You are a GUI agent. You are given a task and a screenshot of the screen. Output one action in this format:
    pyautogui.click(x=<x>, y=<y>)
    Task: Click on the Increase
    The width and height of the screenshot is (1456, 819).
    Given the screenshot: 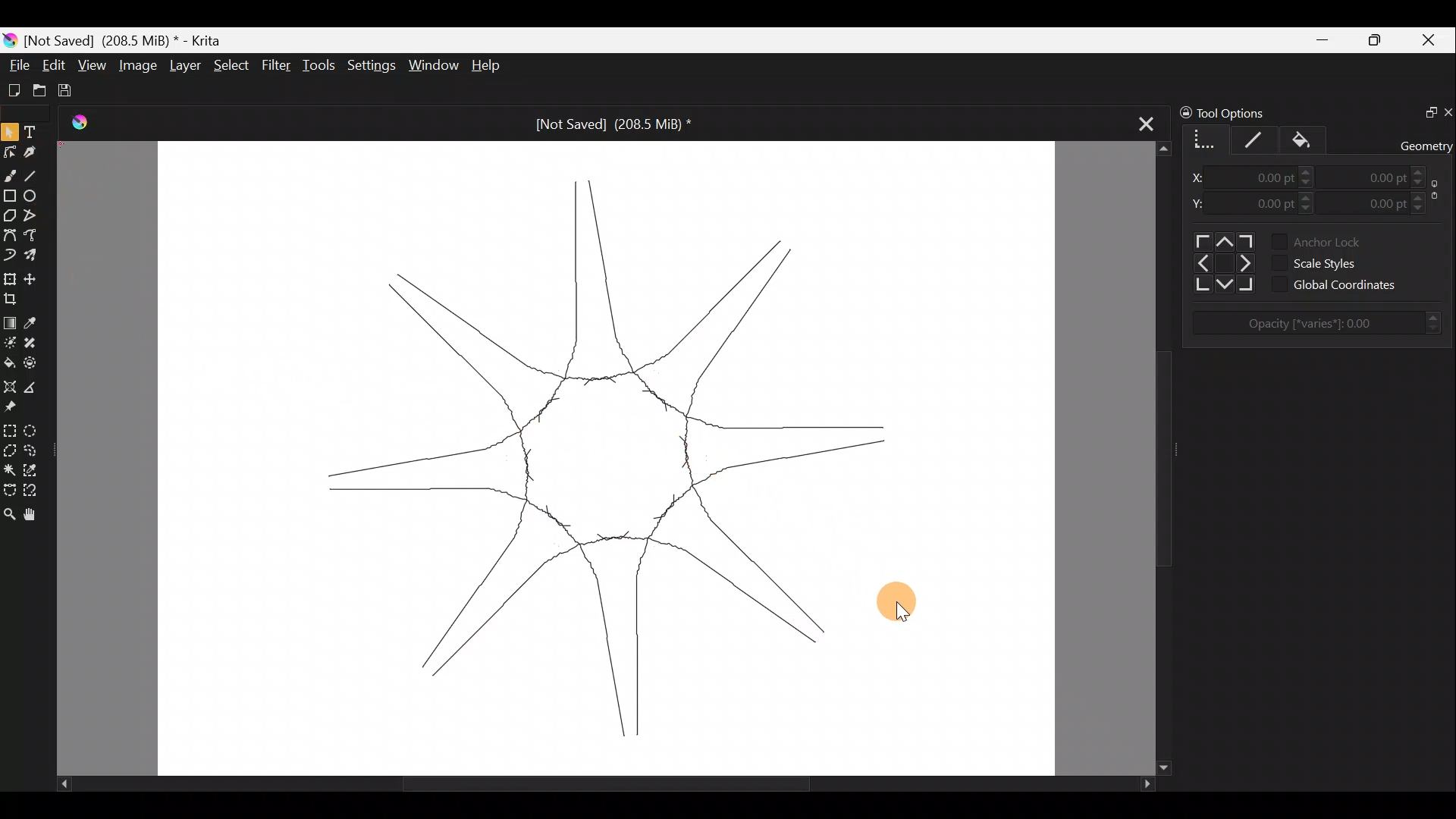 What is the action you would take?
    pyautogui.click(x=1307, y=171)
    